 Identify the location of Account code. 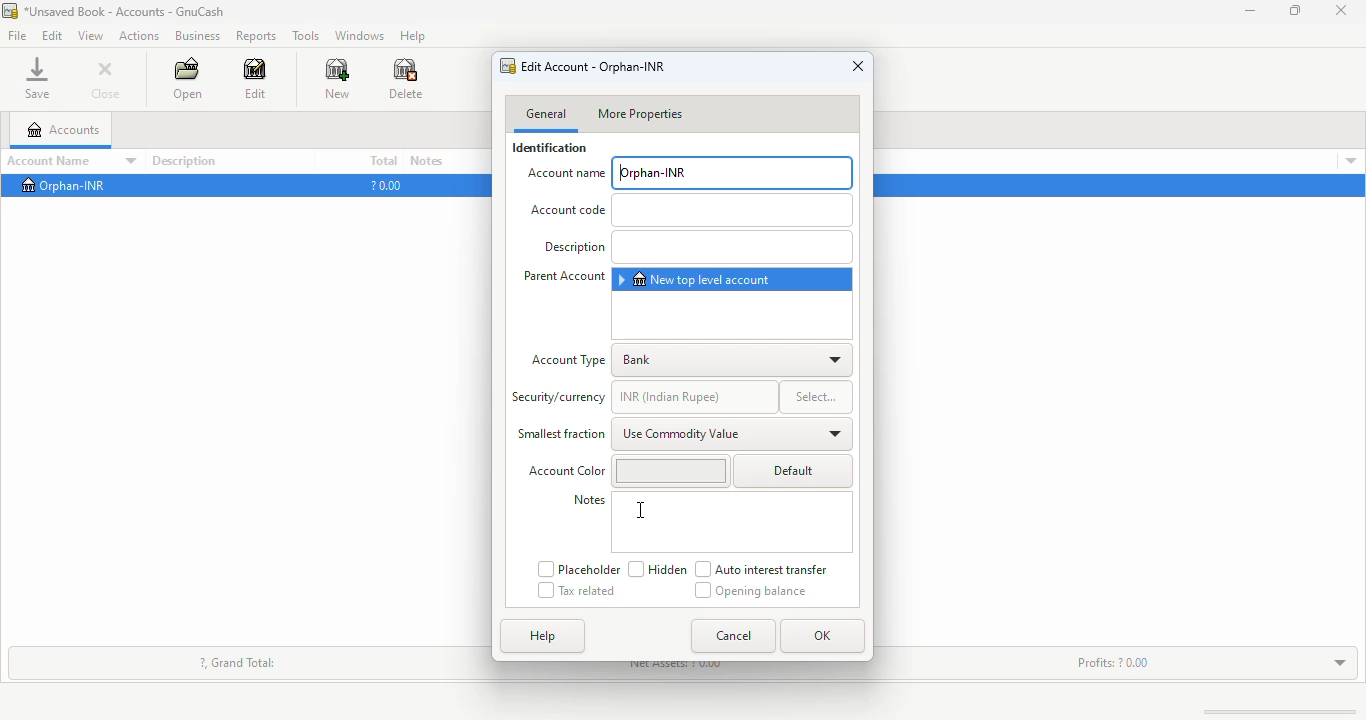
(562, 211).